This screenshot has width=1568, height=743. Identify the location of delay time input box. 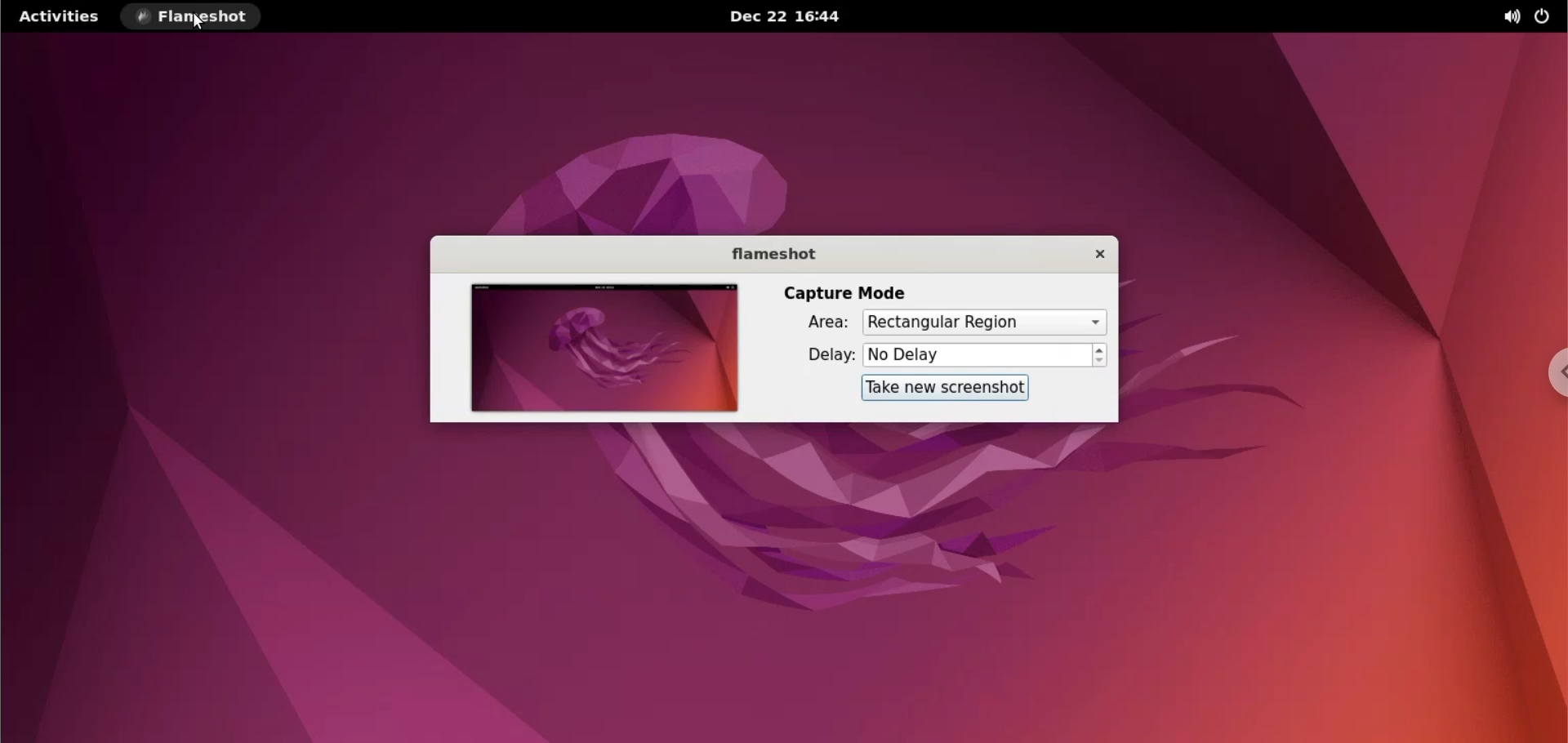
(978, 356).